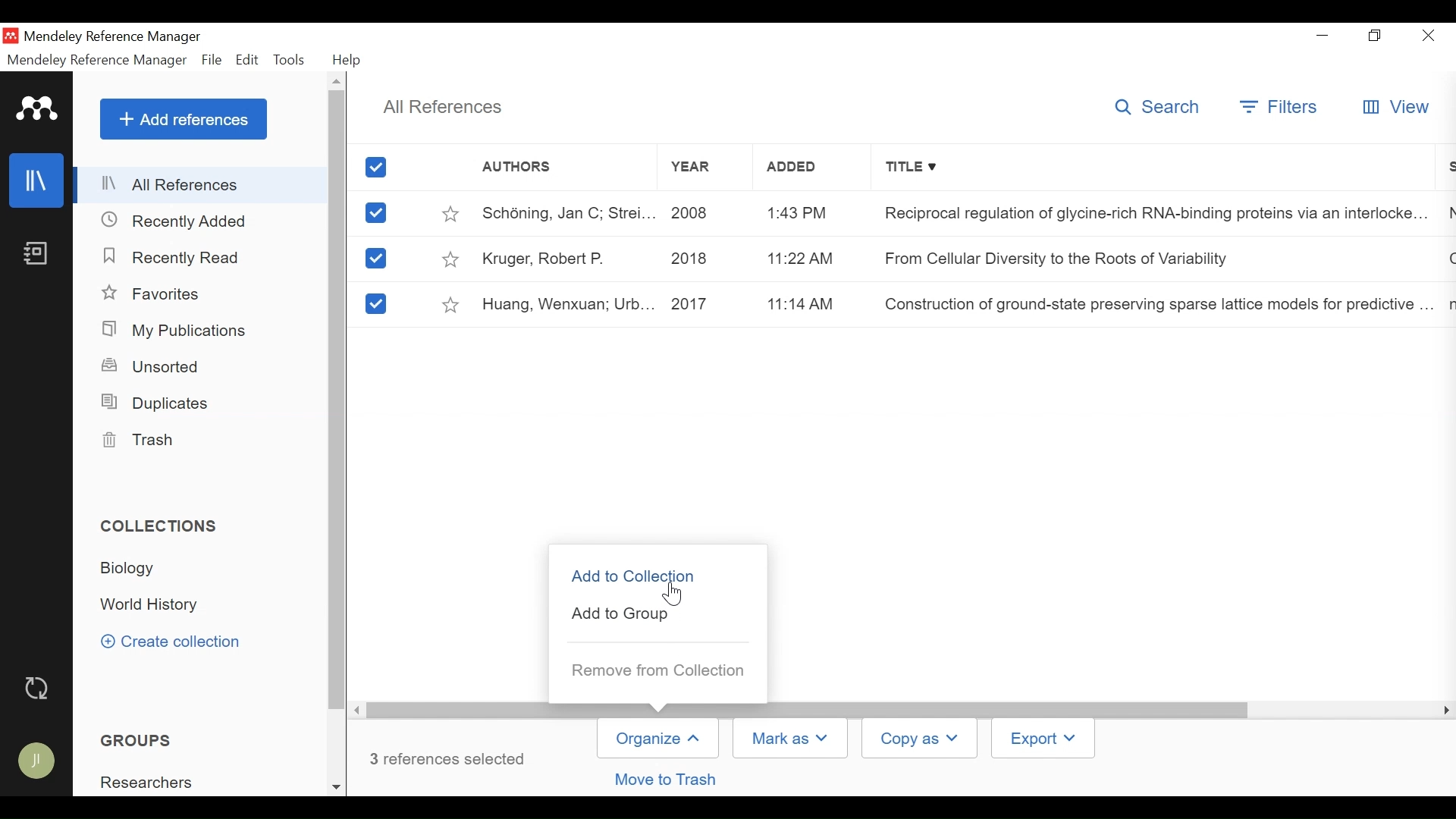 The height and width of the screenshot is (819, 1456). What do you see at coordinates (338, 401) in the screenshot?
I see `Vertical Scroll bar` at bounding box center [338, 401].